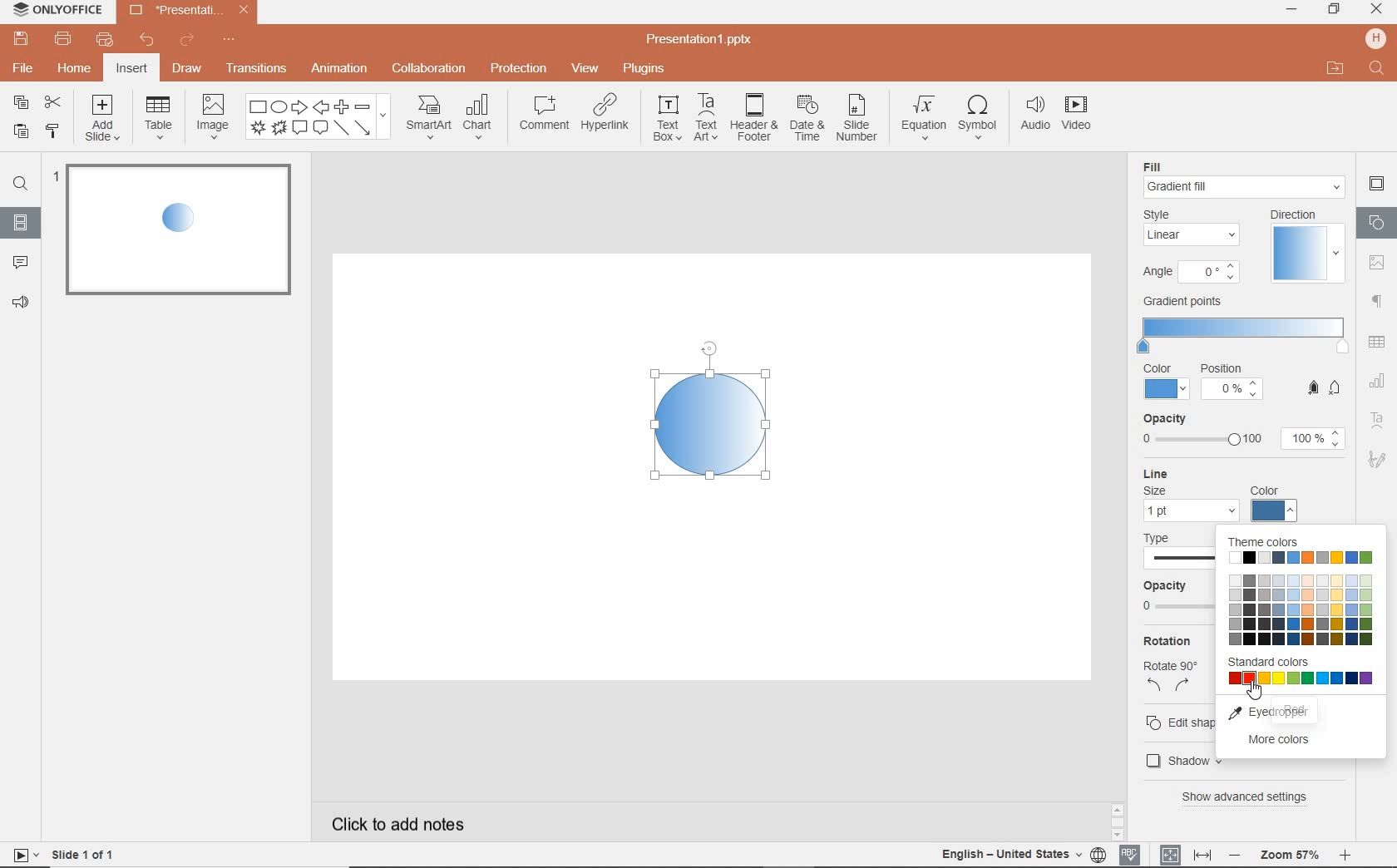 The image size is (1397, 868). What do you see at coordinates (212, 120) in the screenshot?
I see `image` at bounding box center [212, 120].